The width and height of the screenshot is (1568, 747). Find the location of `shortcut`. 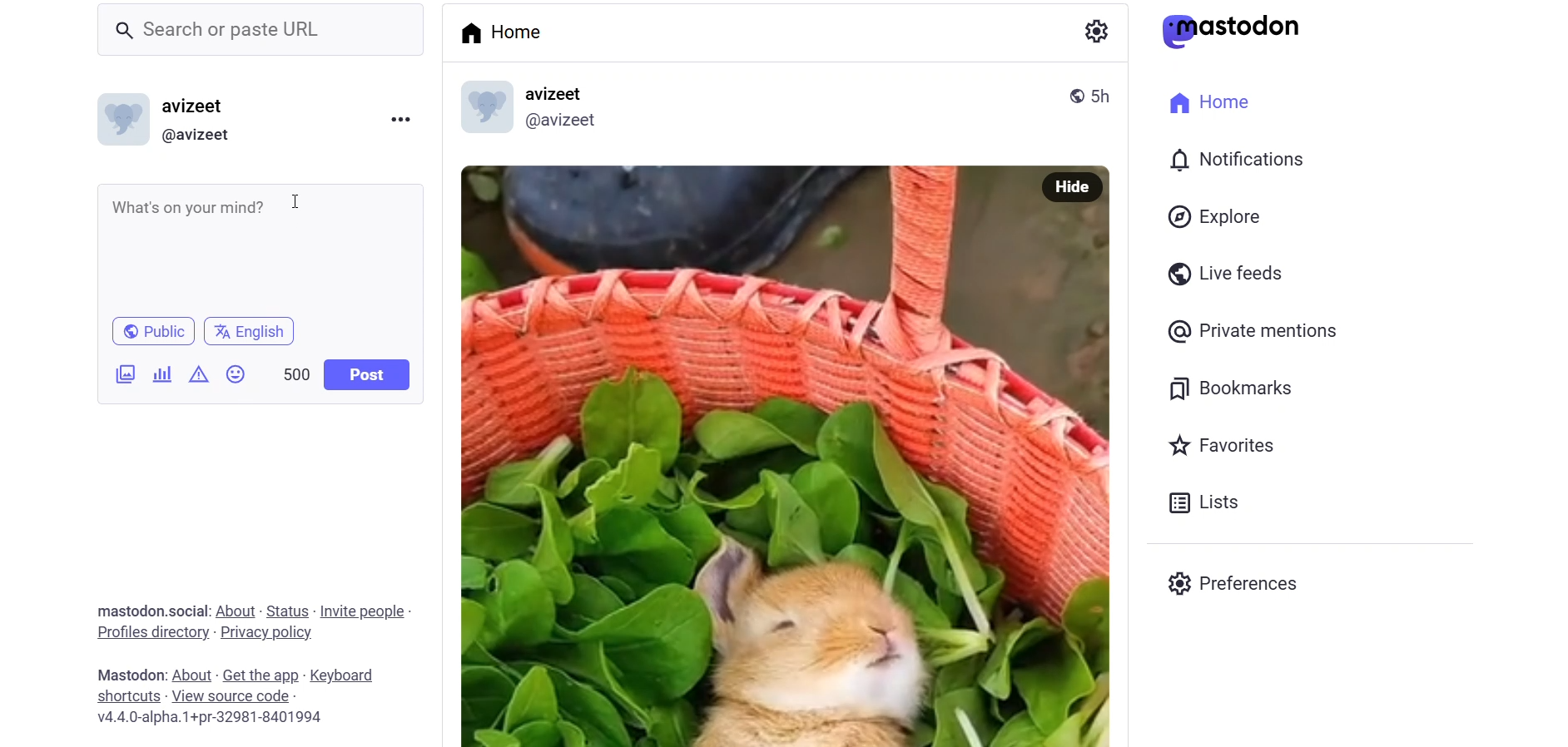

shortcut is located at coordinates (124, 695).